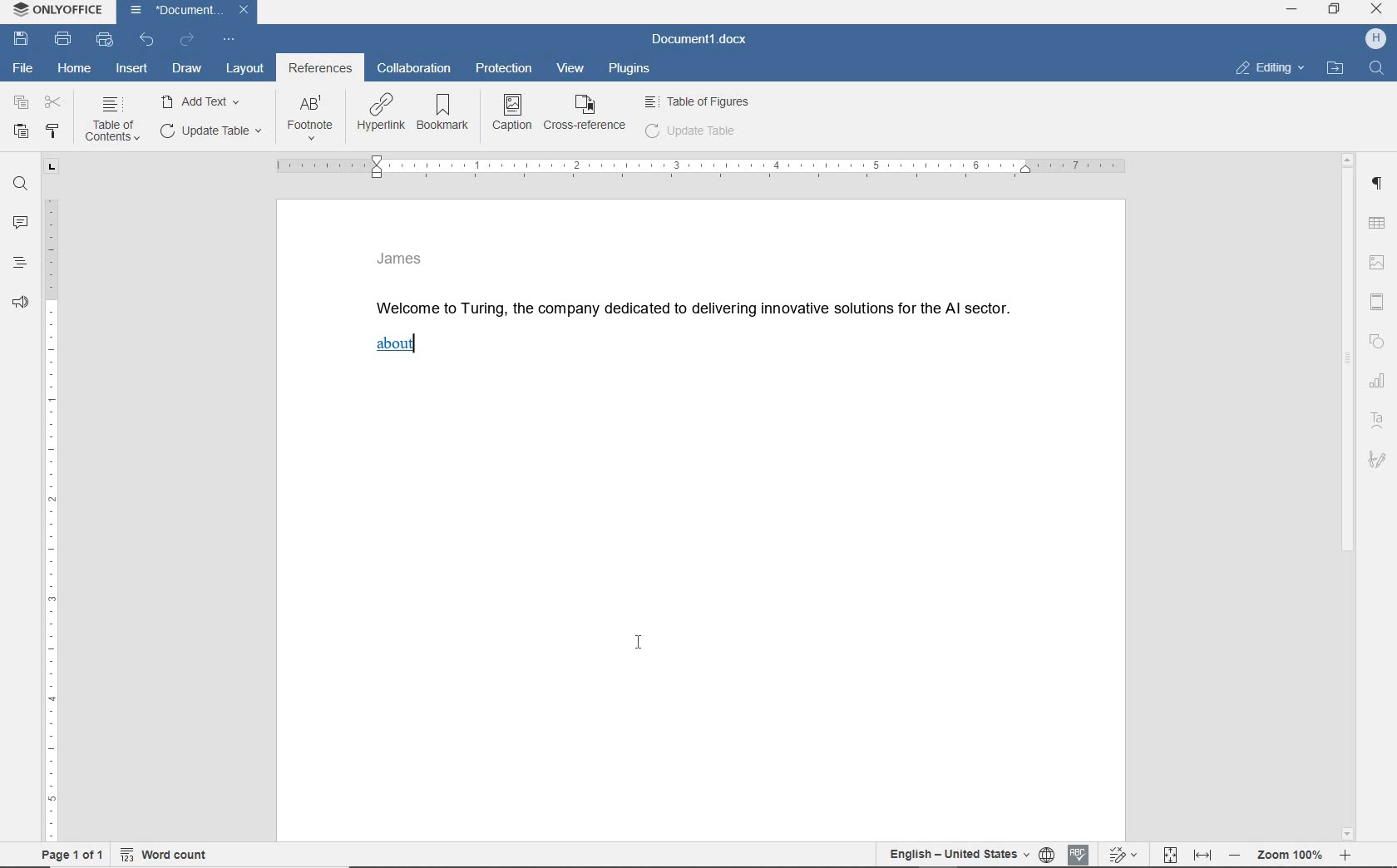 The image size is (1397, 868). I want to click on ruler, so click(698, 167).